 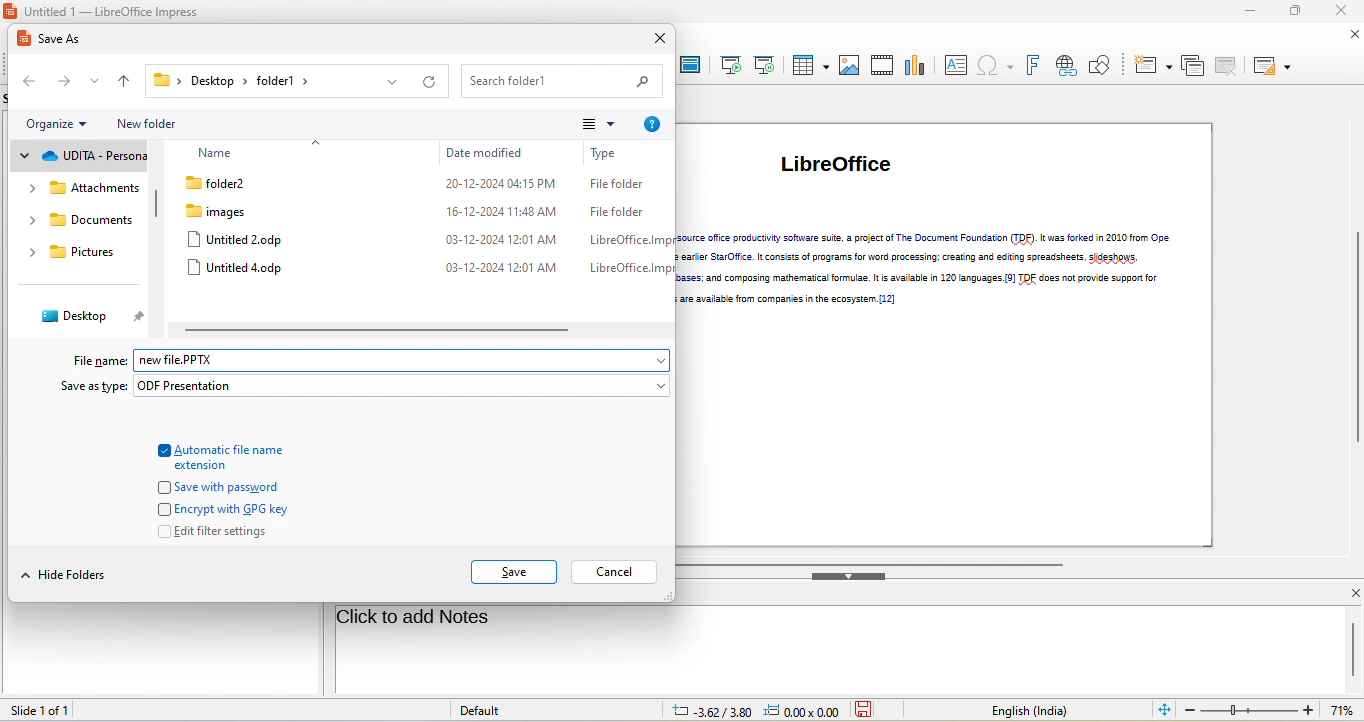 I want to click on organize, so click(x=59, y=124).